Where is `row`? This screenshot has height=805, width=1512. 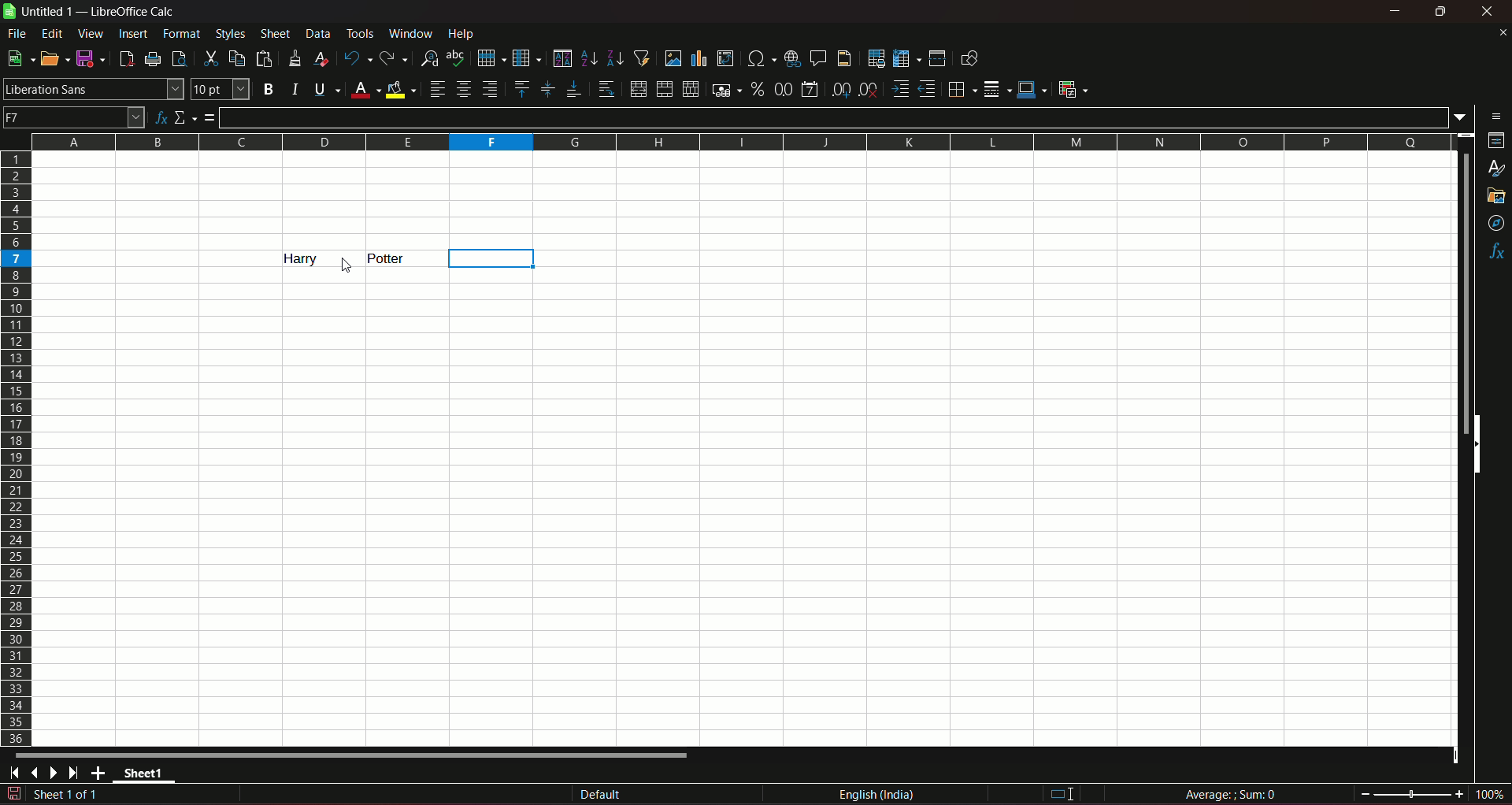
row is located at coordinates (487, 57).